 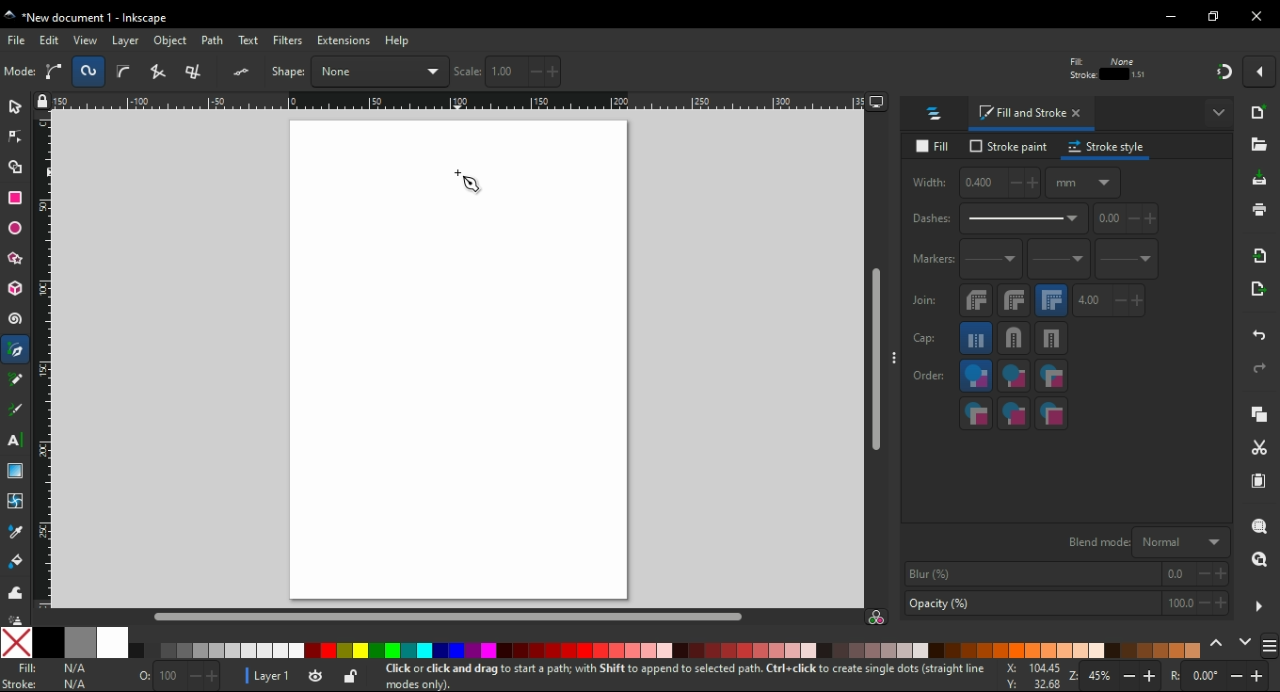 What do you see at coordinates (1268, 649) in the screenshot?
I see `color schemes` at bounding box center [1268, 649].